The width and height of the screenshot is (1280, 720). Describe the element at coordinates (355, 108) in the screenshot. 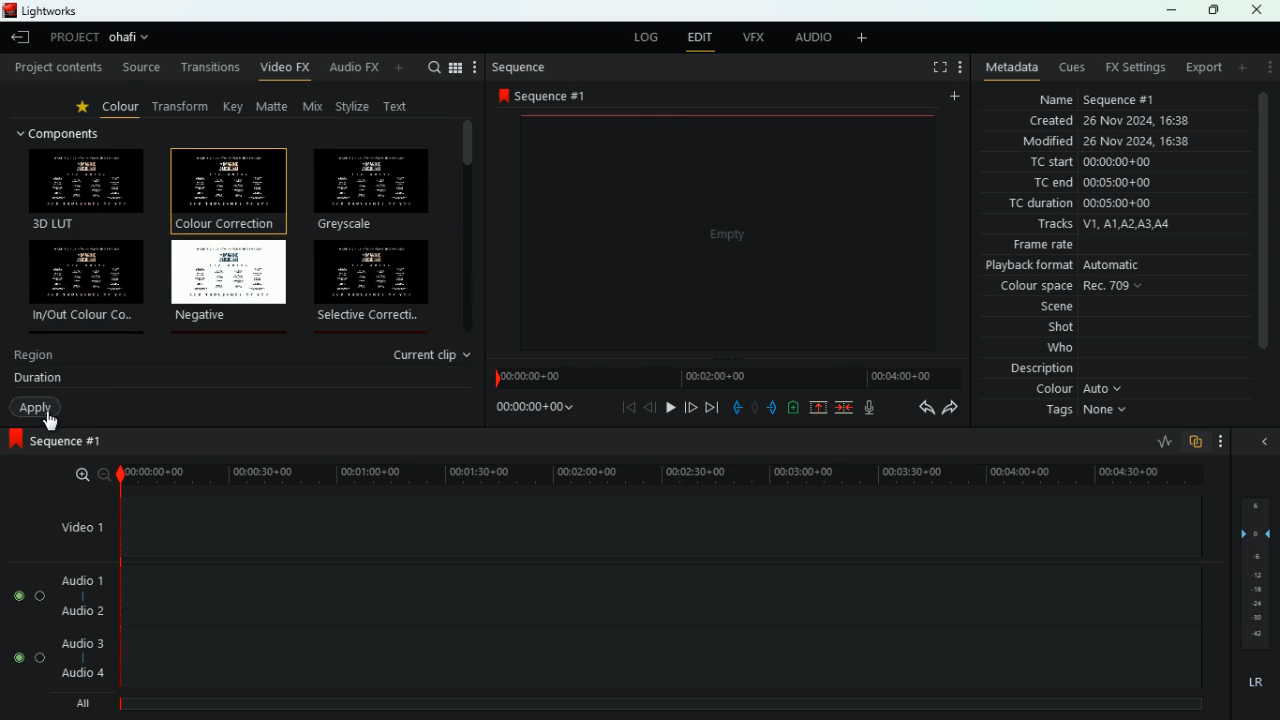

I see `stylize` at that location.